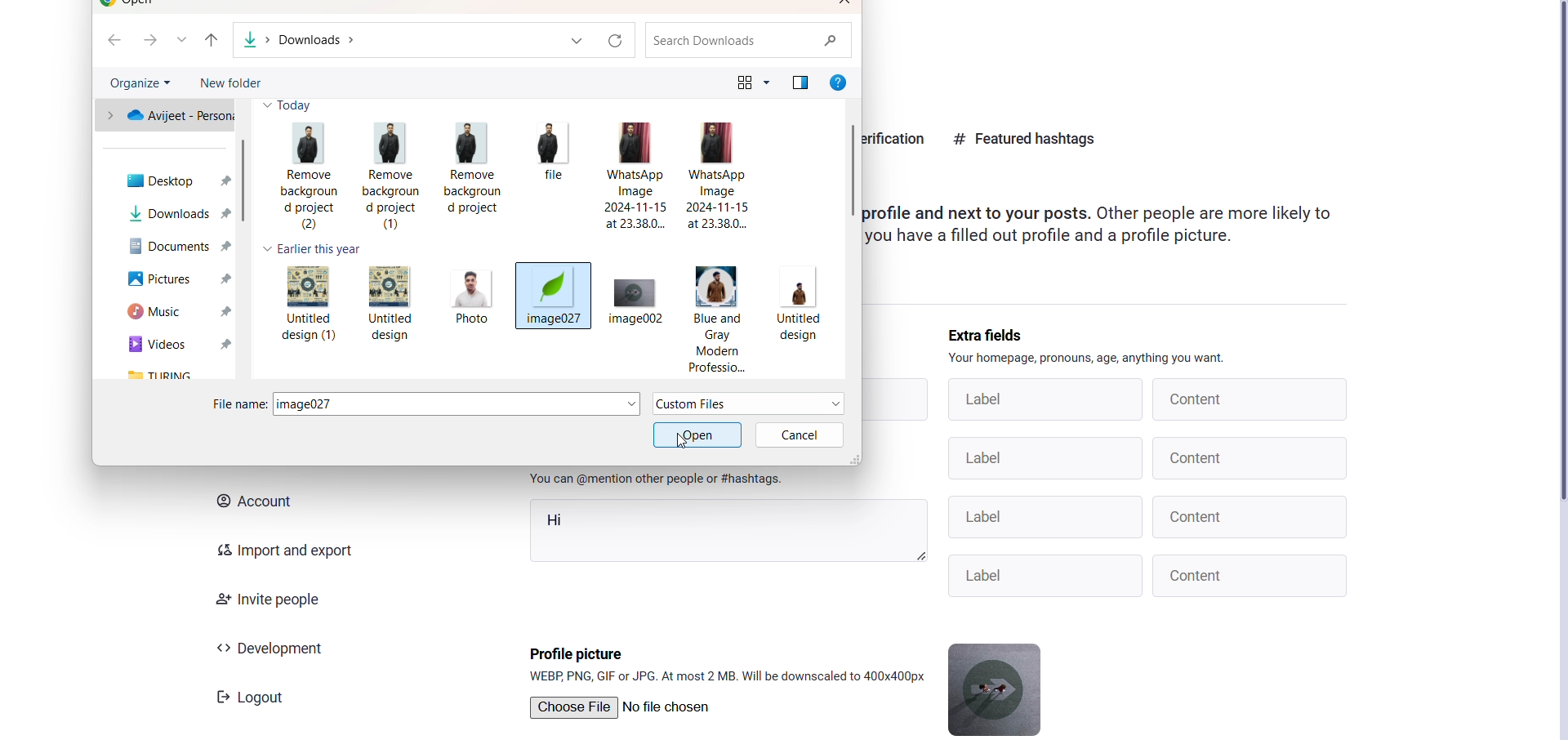 The image size is (1568, 740). What do you see at coordinates (175, 182) in the screenshot?
I see `desktop` at bounding box center [175, 182].